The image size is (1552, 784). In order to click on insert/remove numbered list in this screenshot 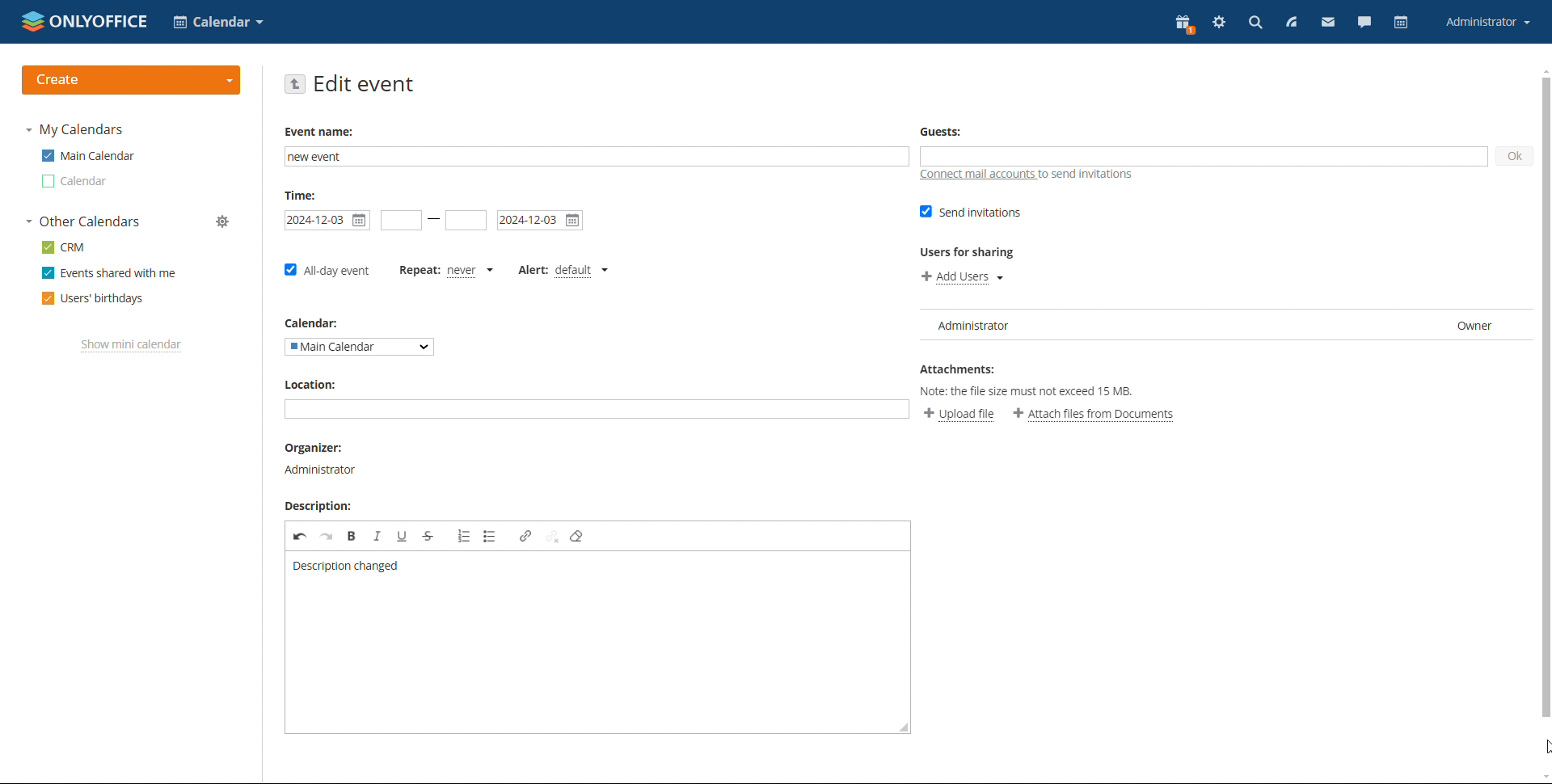, I will do `click(464, 537)`.